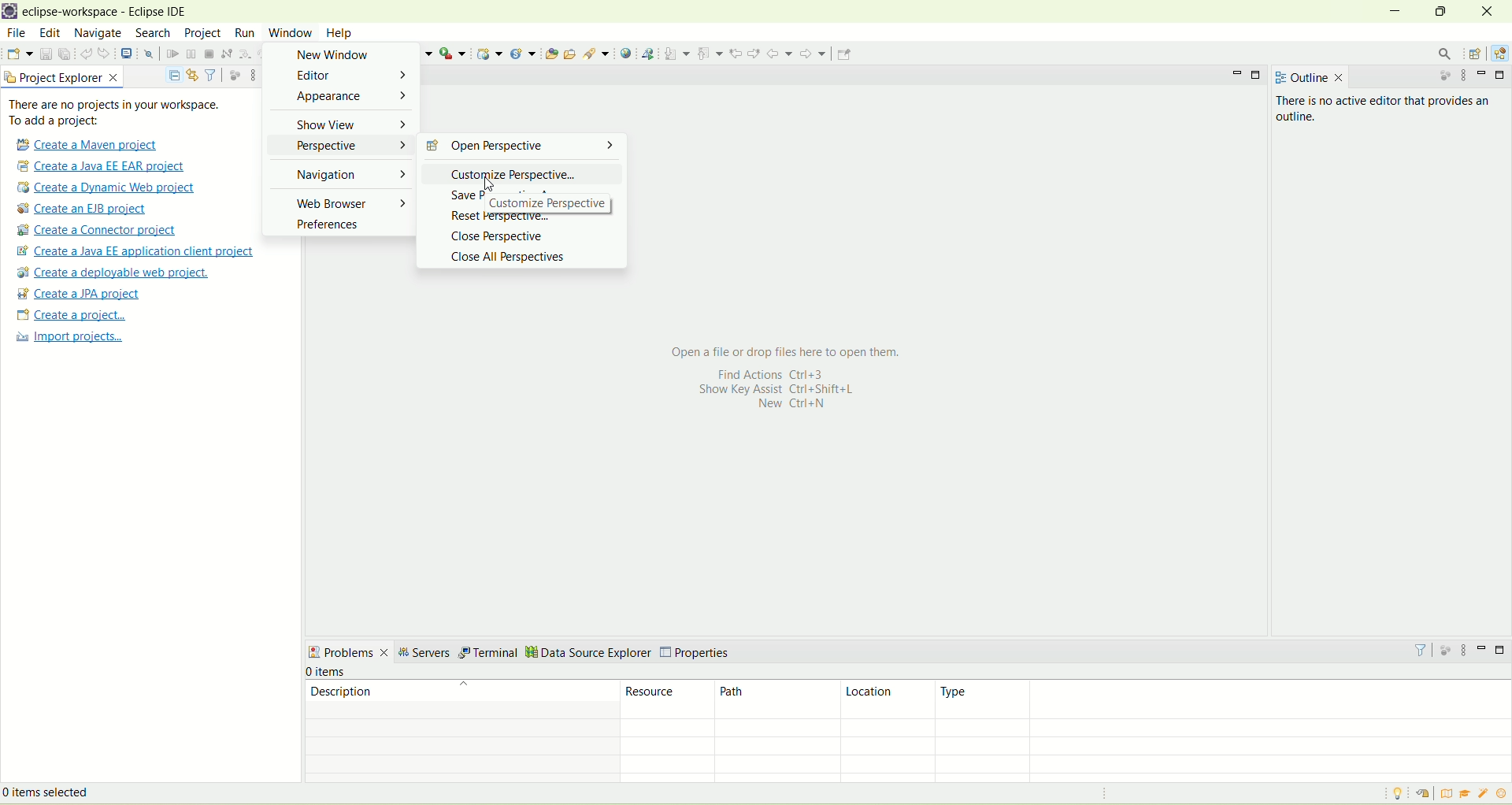 This screenshot has width=1512, height=805. What do you see at coordinates (1447, 651) in the screenshot?
I see `focus on active task` at bounding box center [1447, 651].